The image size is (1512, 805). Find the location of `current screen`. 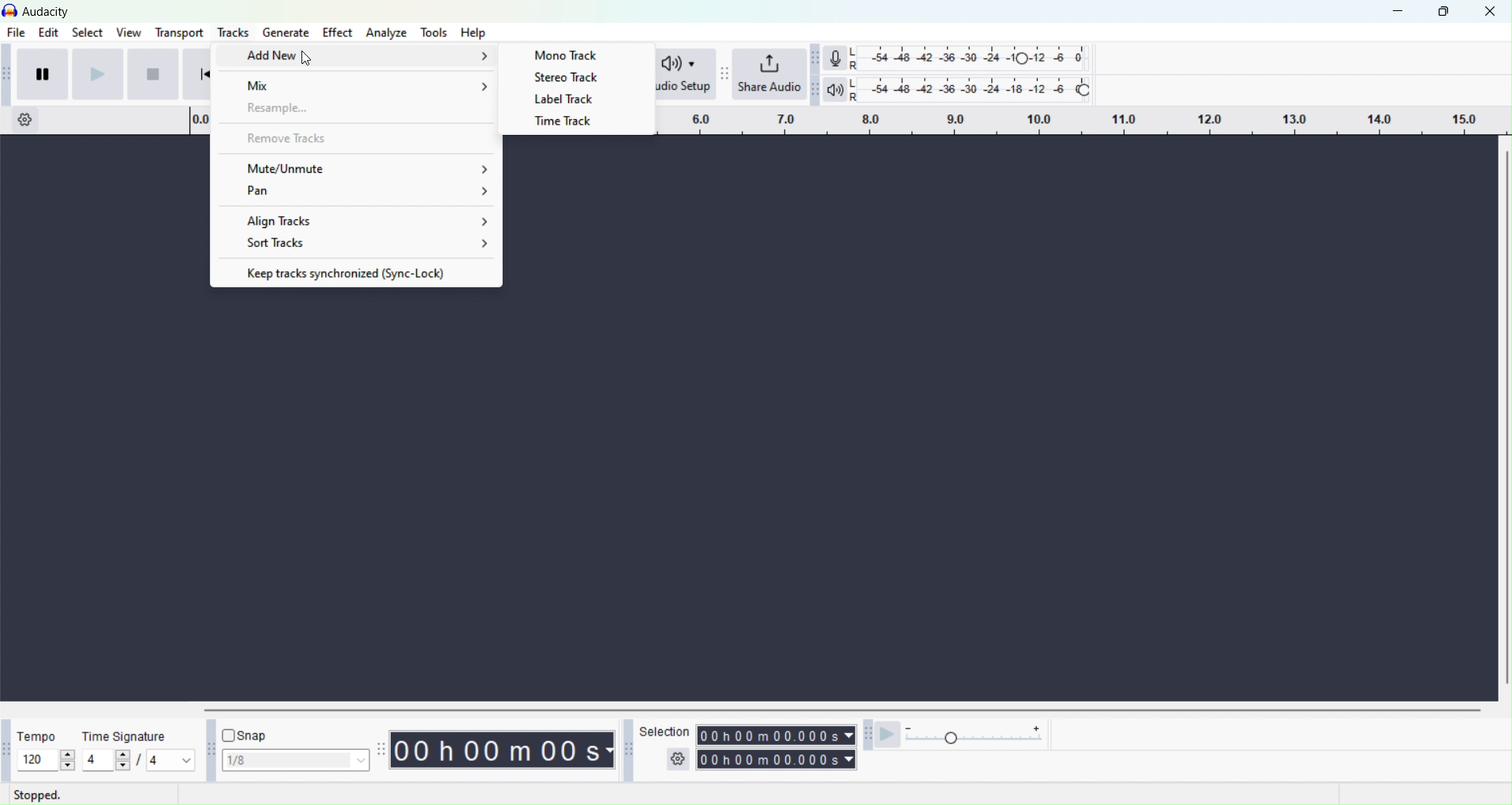

current screen is located at coordinates (738, 496).